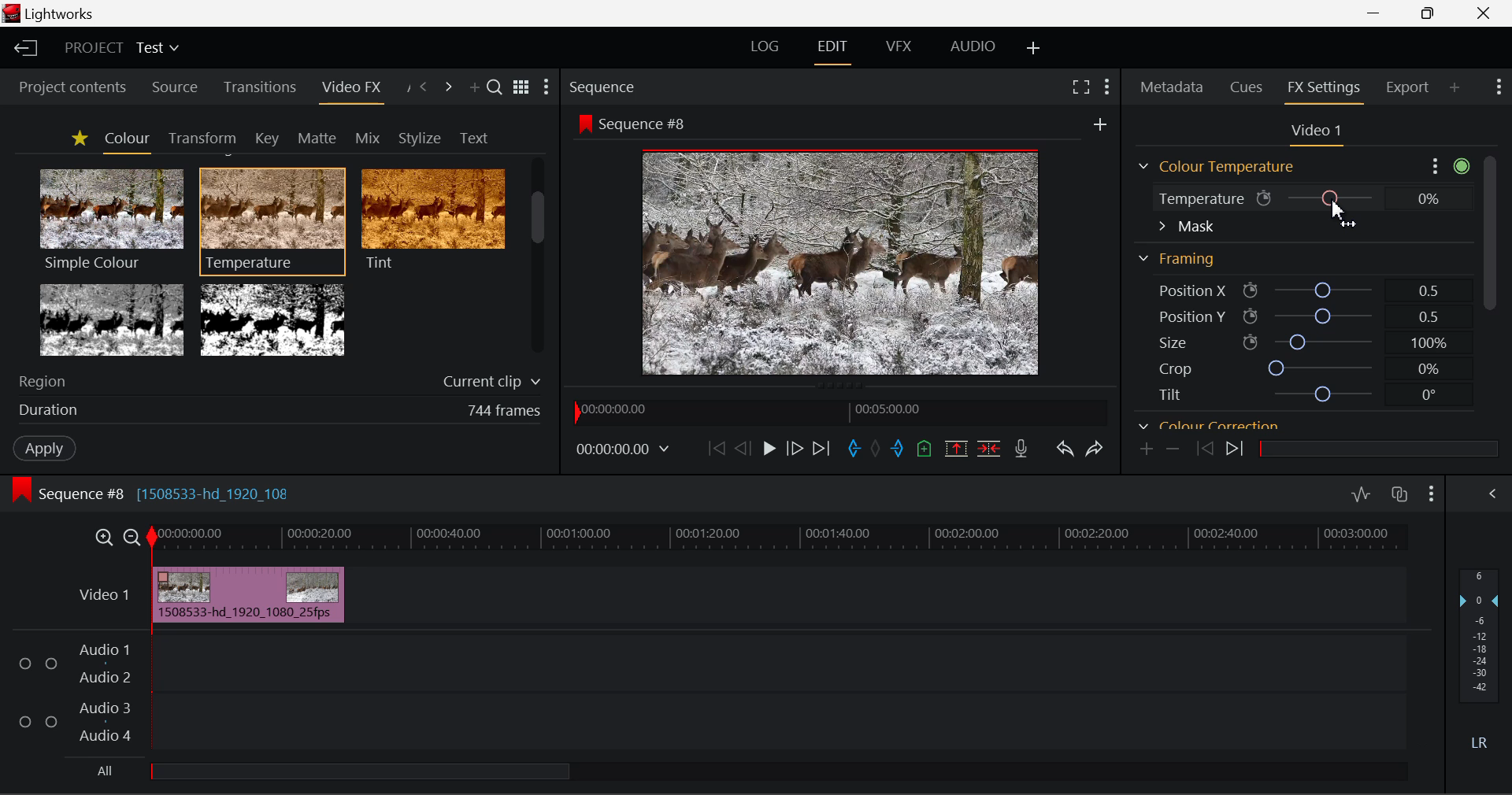  Describe the element at coordinates (420, 136) in the screenshot. I see `Stylize` at that location.